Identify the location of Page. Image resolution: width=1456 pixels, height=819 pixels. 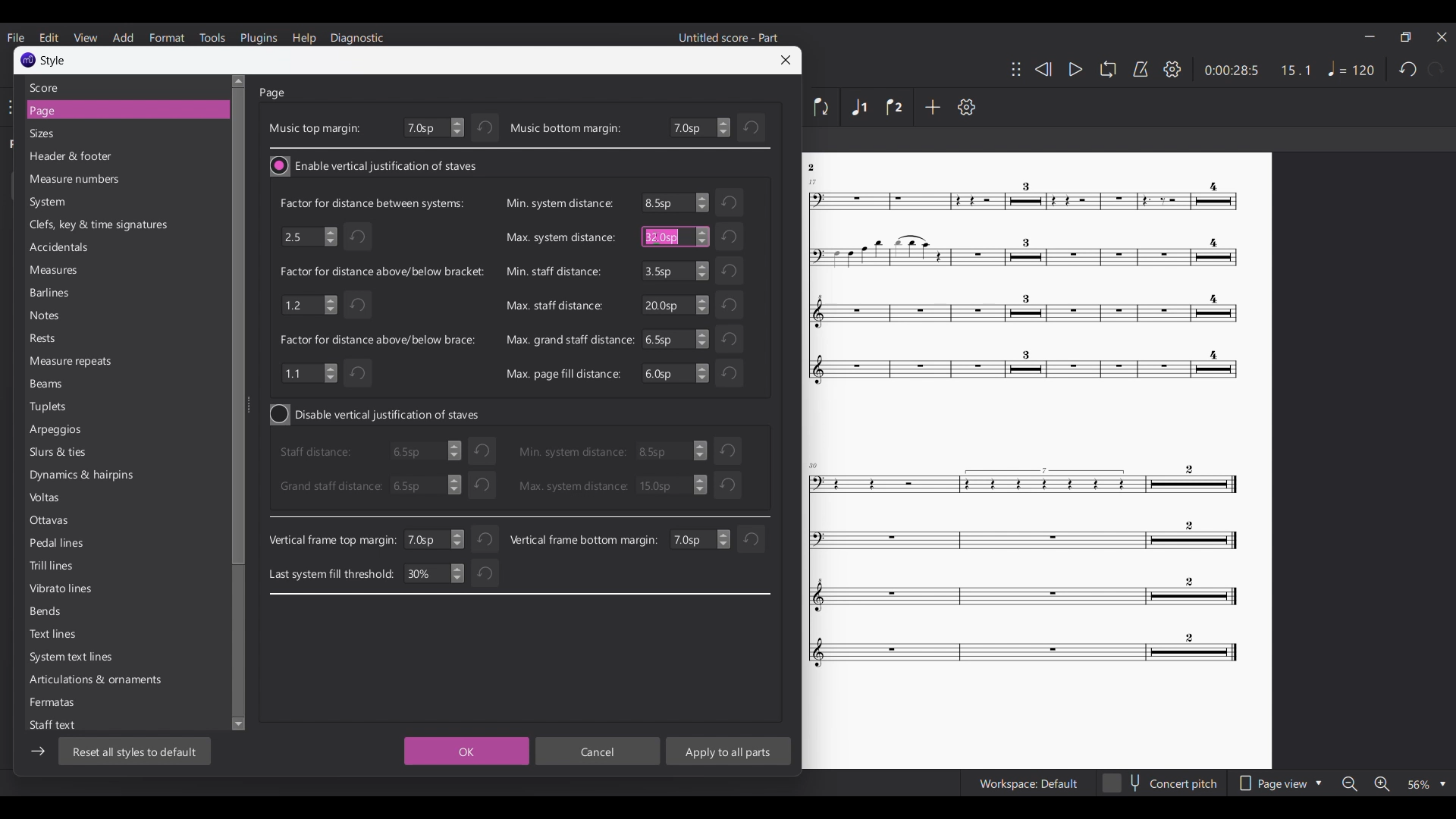
(274, 93).